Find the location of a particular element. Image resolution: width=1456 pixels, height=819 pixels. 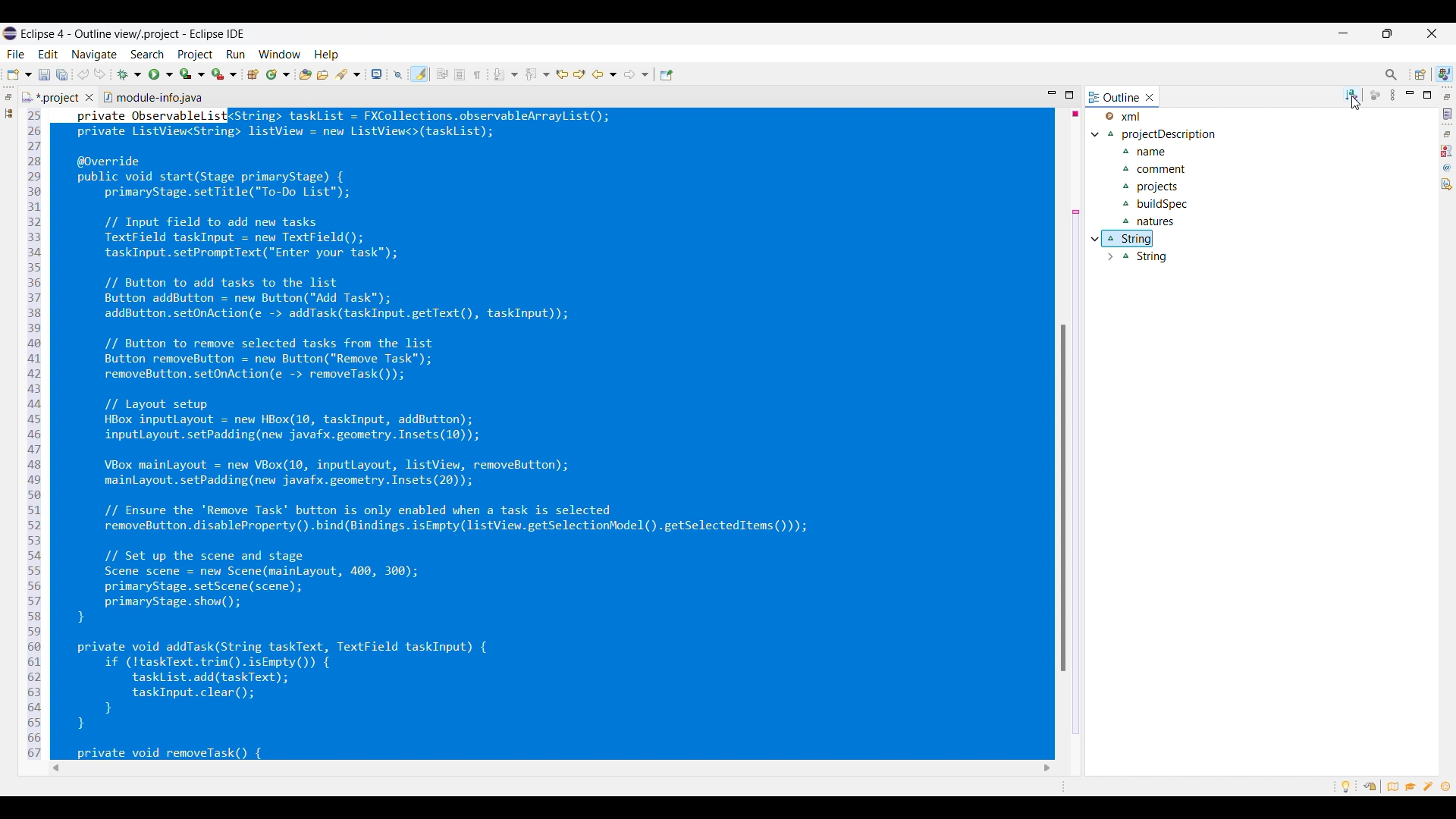

Toggle block selection mode is located at coordinates (460, 74).